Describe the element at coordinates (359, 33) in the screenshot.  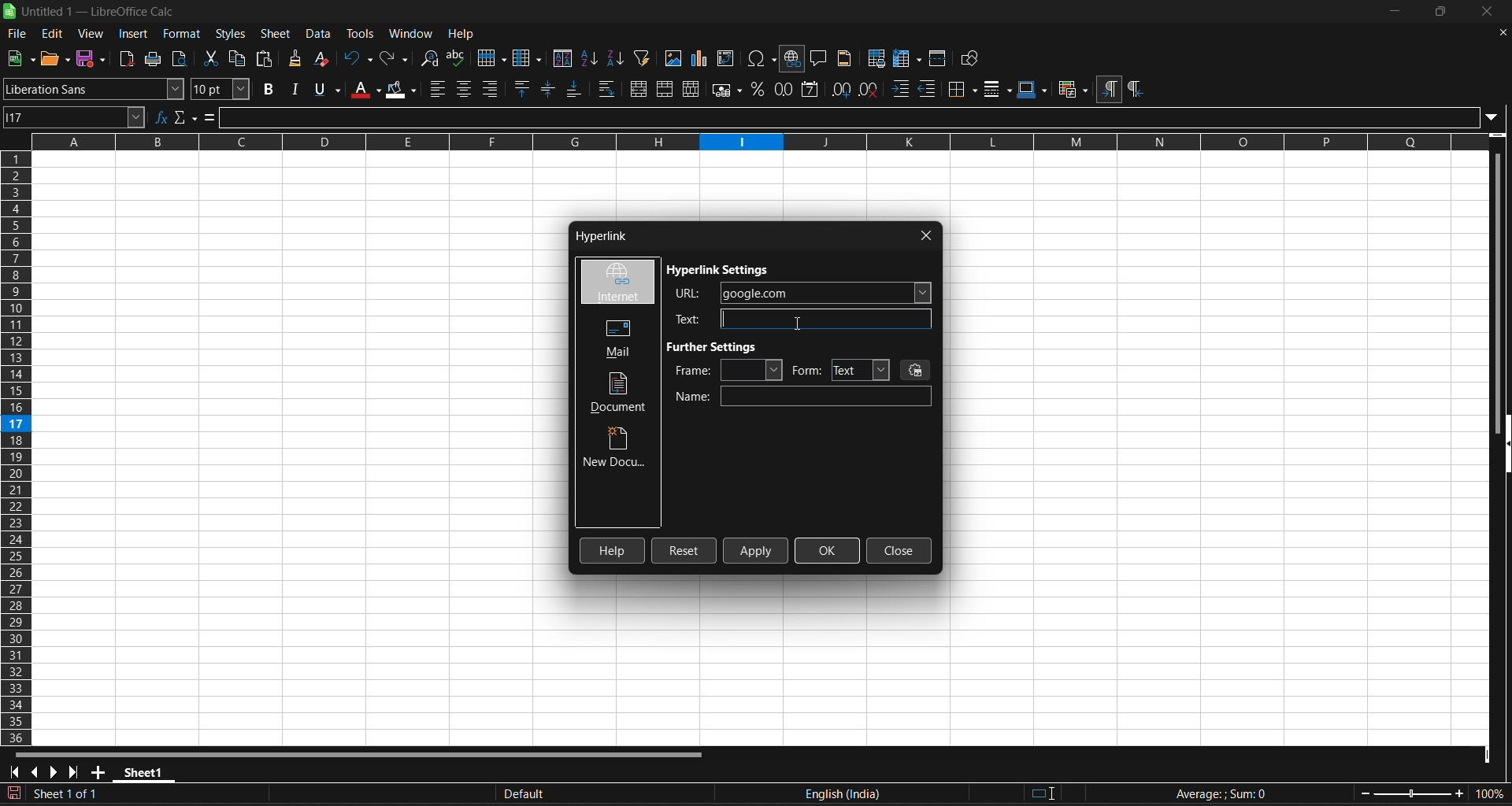
I see `tools` at that location.